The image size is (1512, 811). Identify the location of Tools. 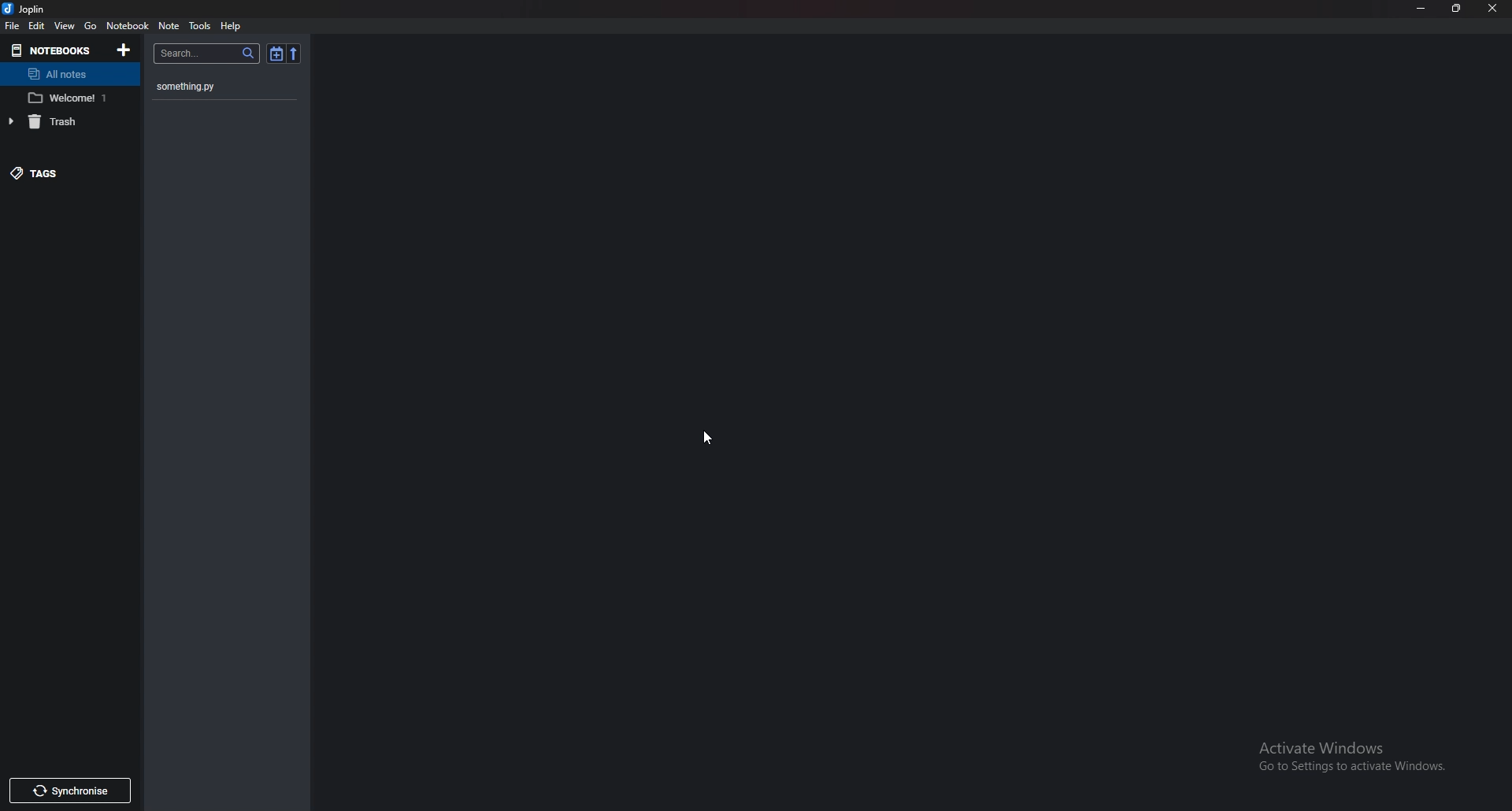
(198, 27).